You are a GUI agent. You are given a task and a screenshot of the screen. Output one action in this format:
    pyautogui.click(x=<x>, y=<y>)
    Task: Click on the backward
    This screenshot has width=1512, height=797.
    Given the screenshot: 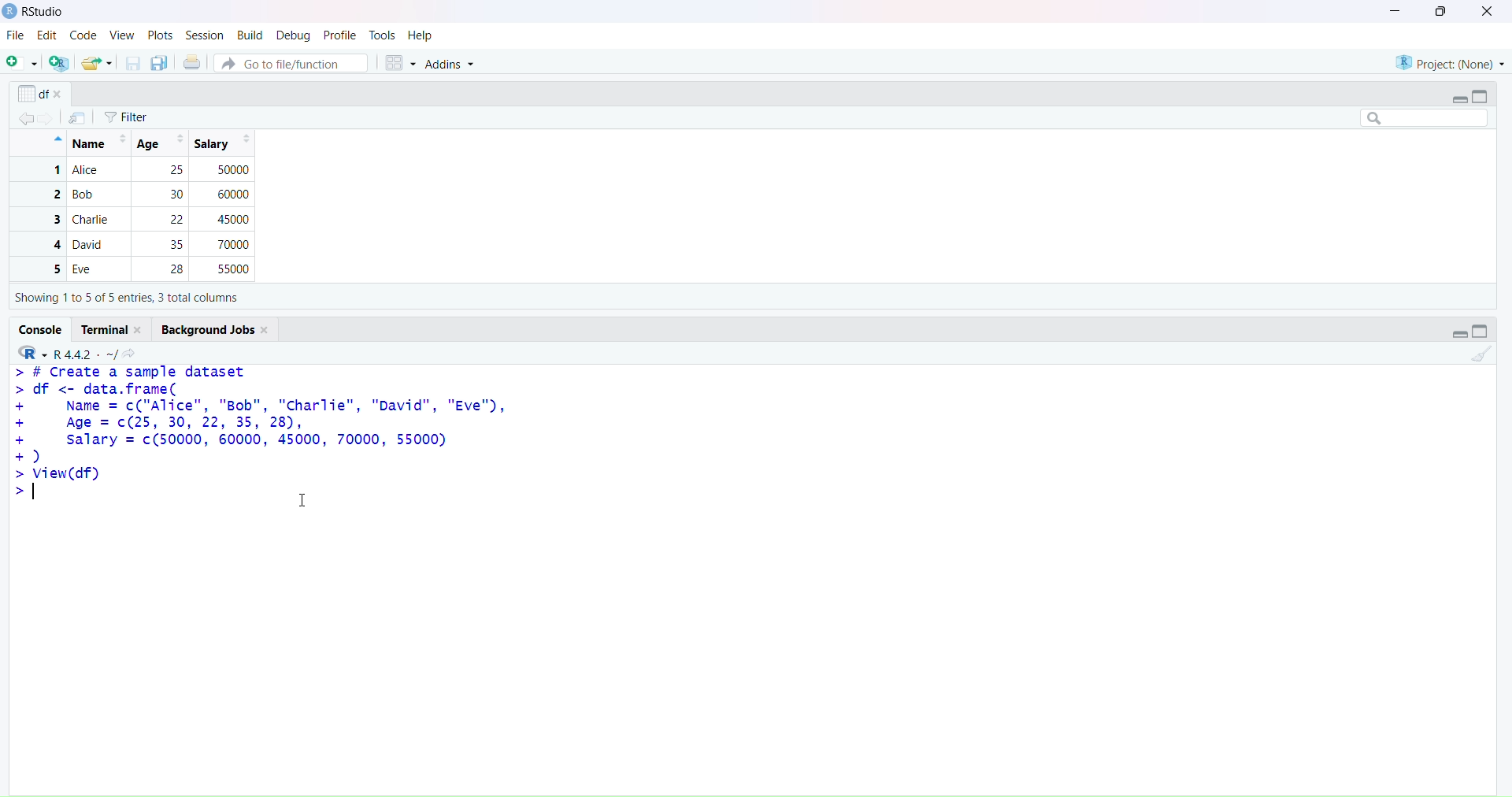 What is the action you would take?
    pyautogui.click(x=18, y=118)
    